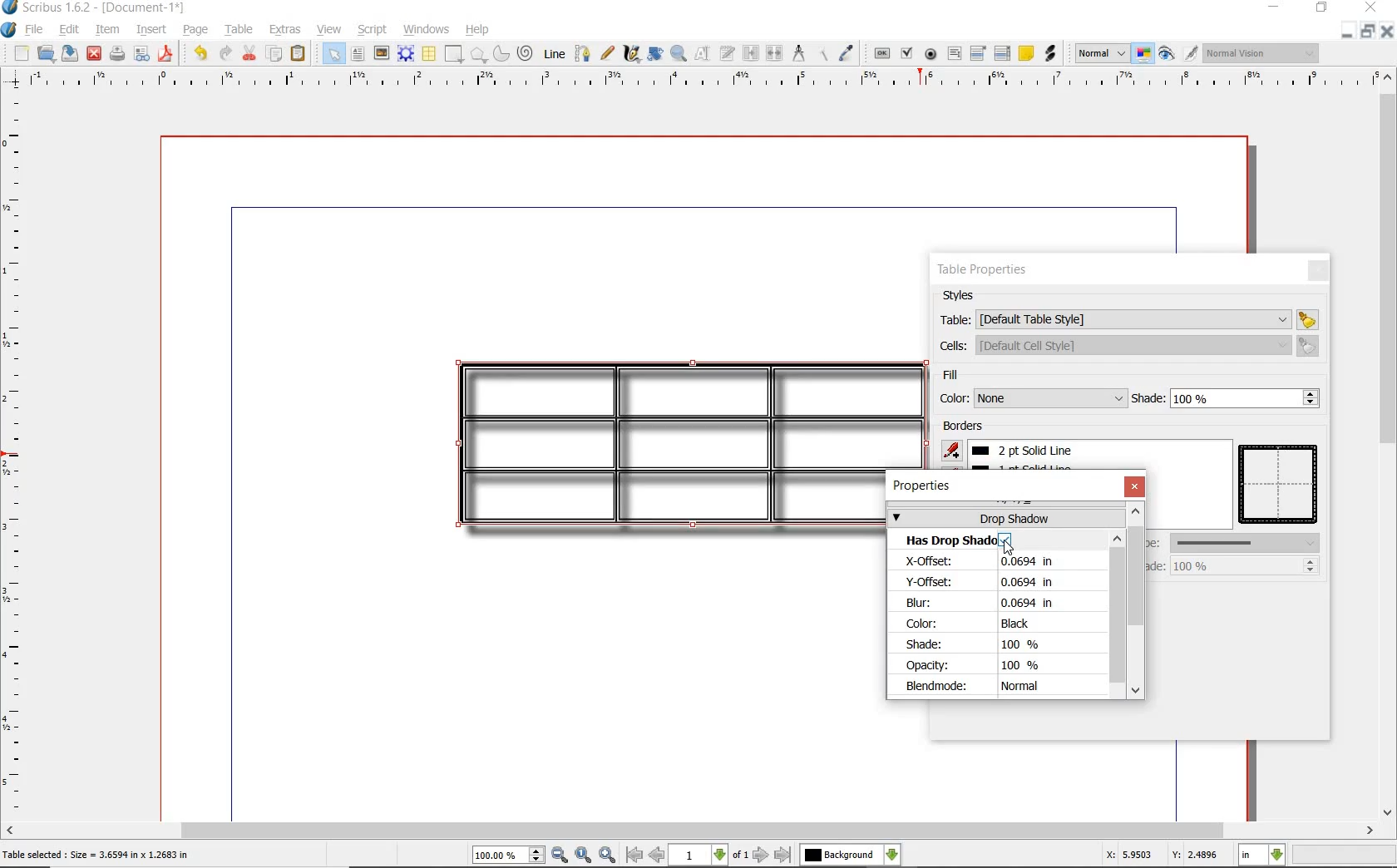 The height and width of the screenshot is (868, 1397). What do you see at coordinates (196, 31) in the screenshot?
I see `page` at bounding box center [196, 31].